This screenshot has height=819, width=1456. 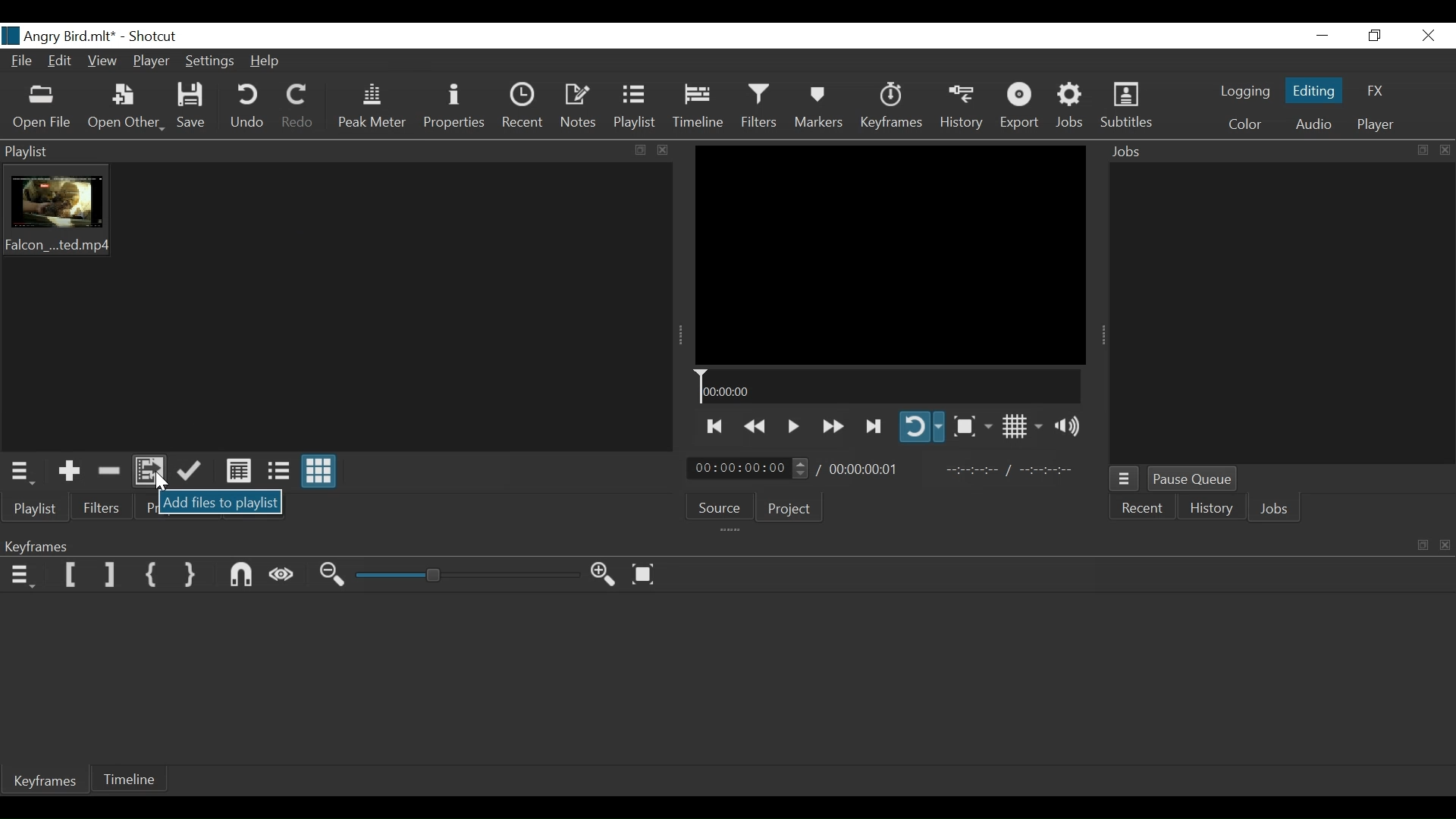 What do you see at coordinates (130, 779) in the screenshot?
I see `Timeline` at bounding box center [130, 779].